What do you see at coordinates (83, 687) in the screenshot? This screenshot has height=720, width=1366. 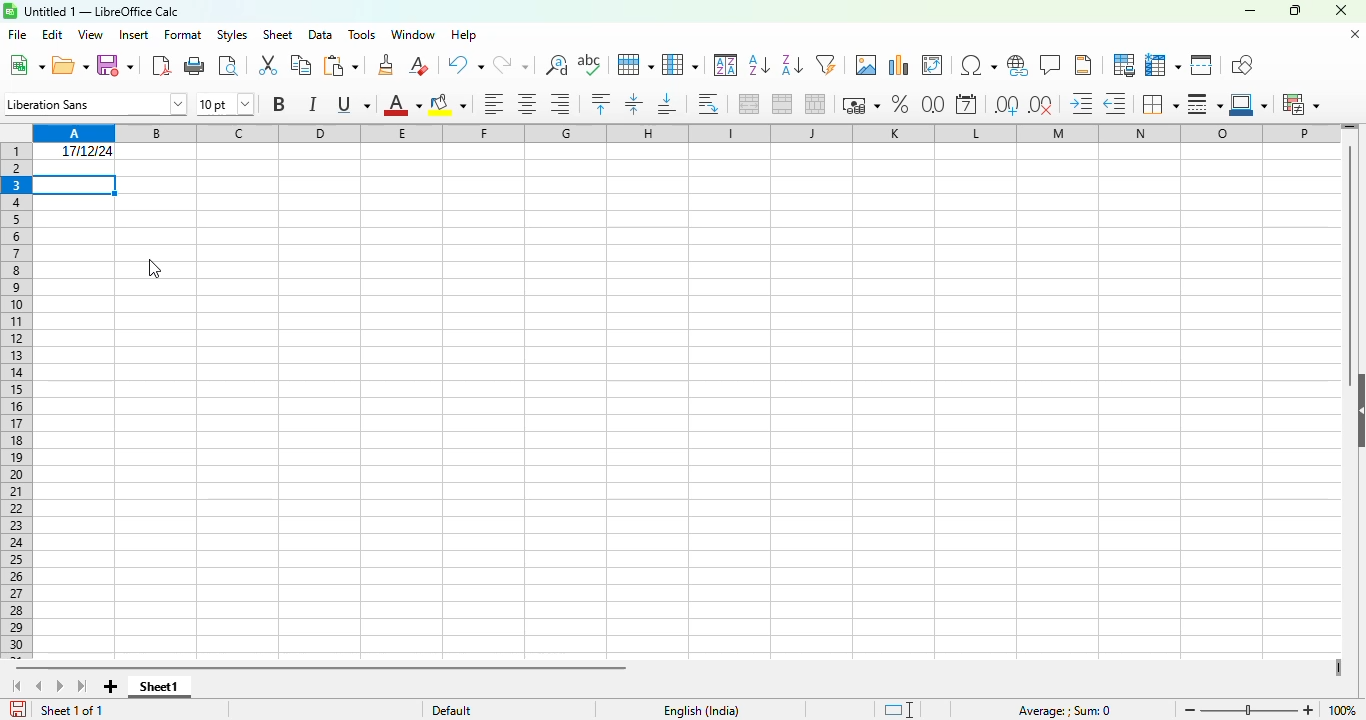 I see `scroll to last page` at bounding box center [83, 687].